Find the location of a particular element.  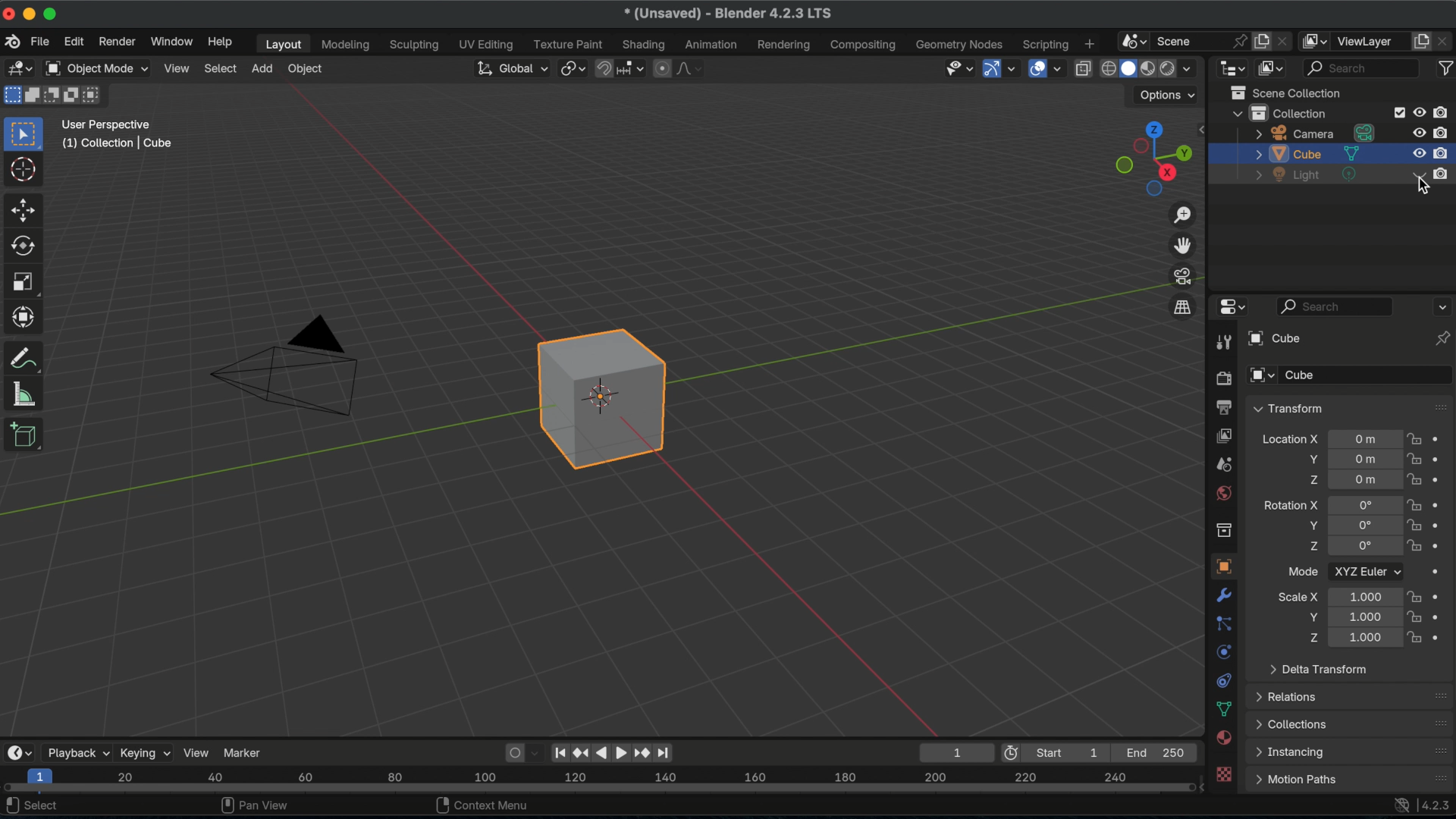

drag handle is located at coordinates (1439, 407).